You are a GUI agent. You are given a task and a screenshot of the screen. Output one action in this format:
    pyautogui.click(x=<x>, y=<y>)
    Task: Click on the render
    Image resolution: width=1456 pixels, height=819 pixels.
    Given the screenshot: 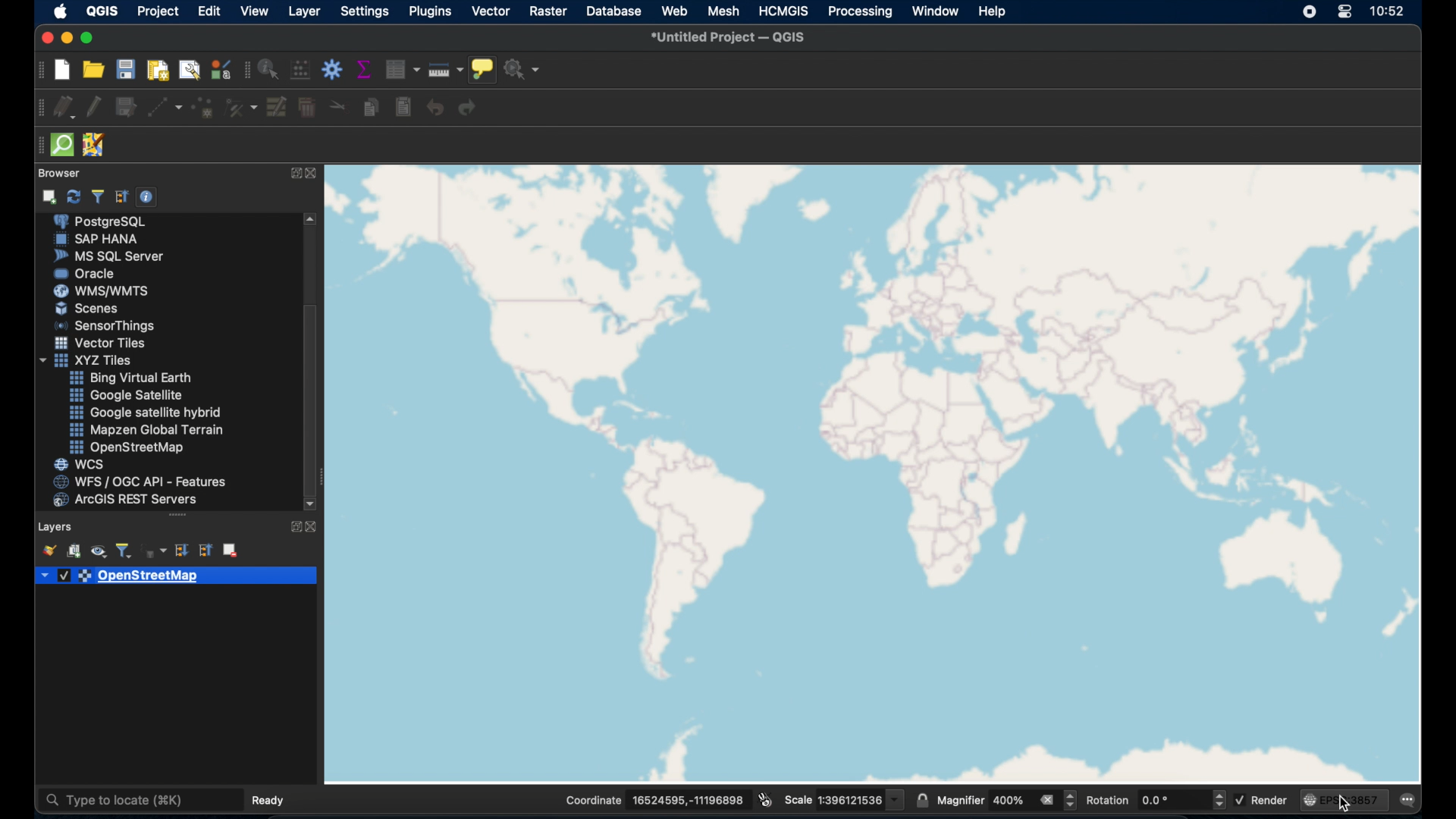 What is the action you would take?
    pyautogui.click(x=1262, y=799)
    